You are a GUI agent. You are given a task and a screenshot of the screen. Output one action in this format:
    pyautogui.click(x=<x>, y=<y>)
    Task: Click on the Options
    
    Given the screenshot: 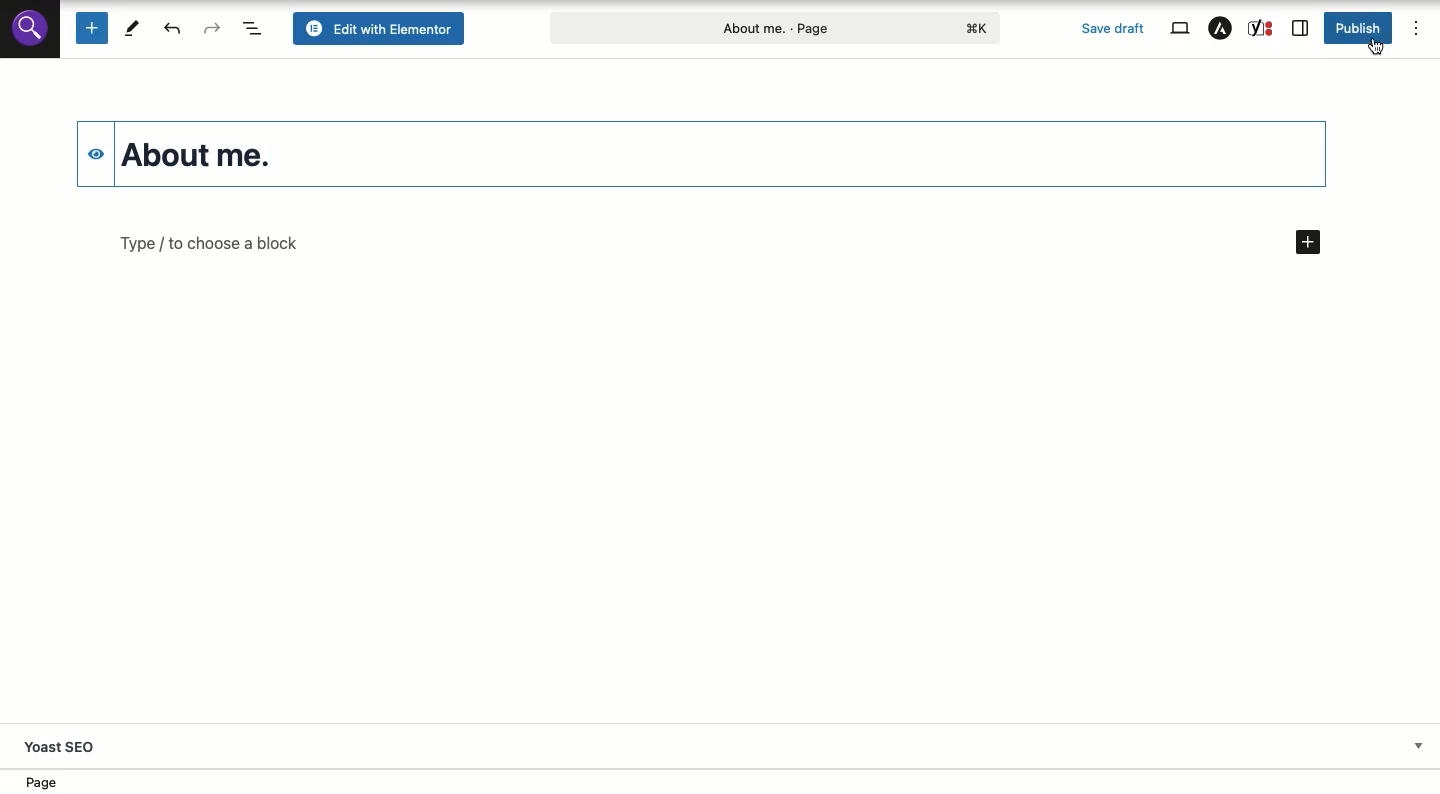 What is the action you would take?
    pyautogui.click(x=1414, y=26)
    